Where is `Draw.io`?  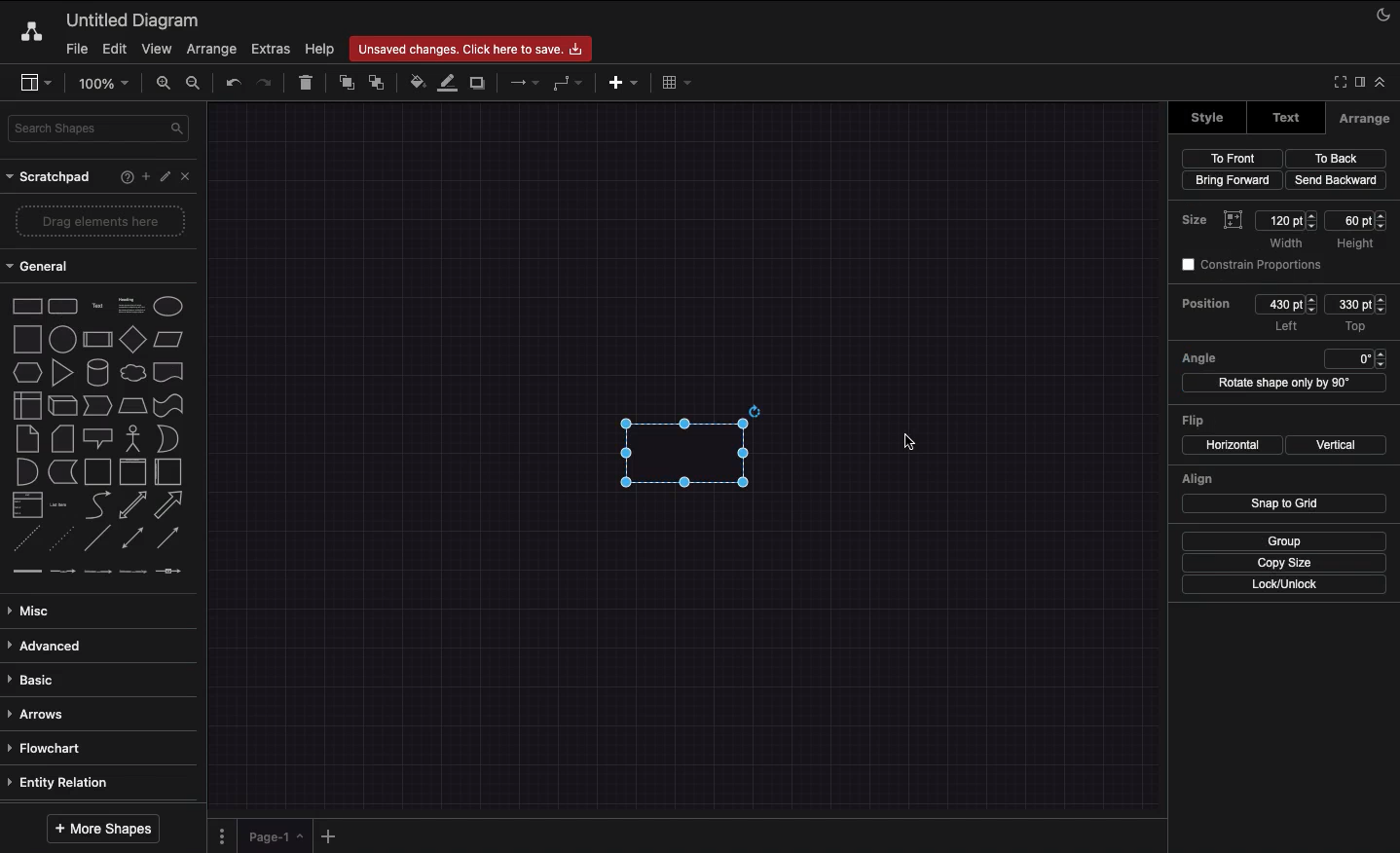
Draw.io is located at coordinates (28, 35).